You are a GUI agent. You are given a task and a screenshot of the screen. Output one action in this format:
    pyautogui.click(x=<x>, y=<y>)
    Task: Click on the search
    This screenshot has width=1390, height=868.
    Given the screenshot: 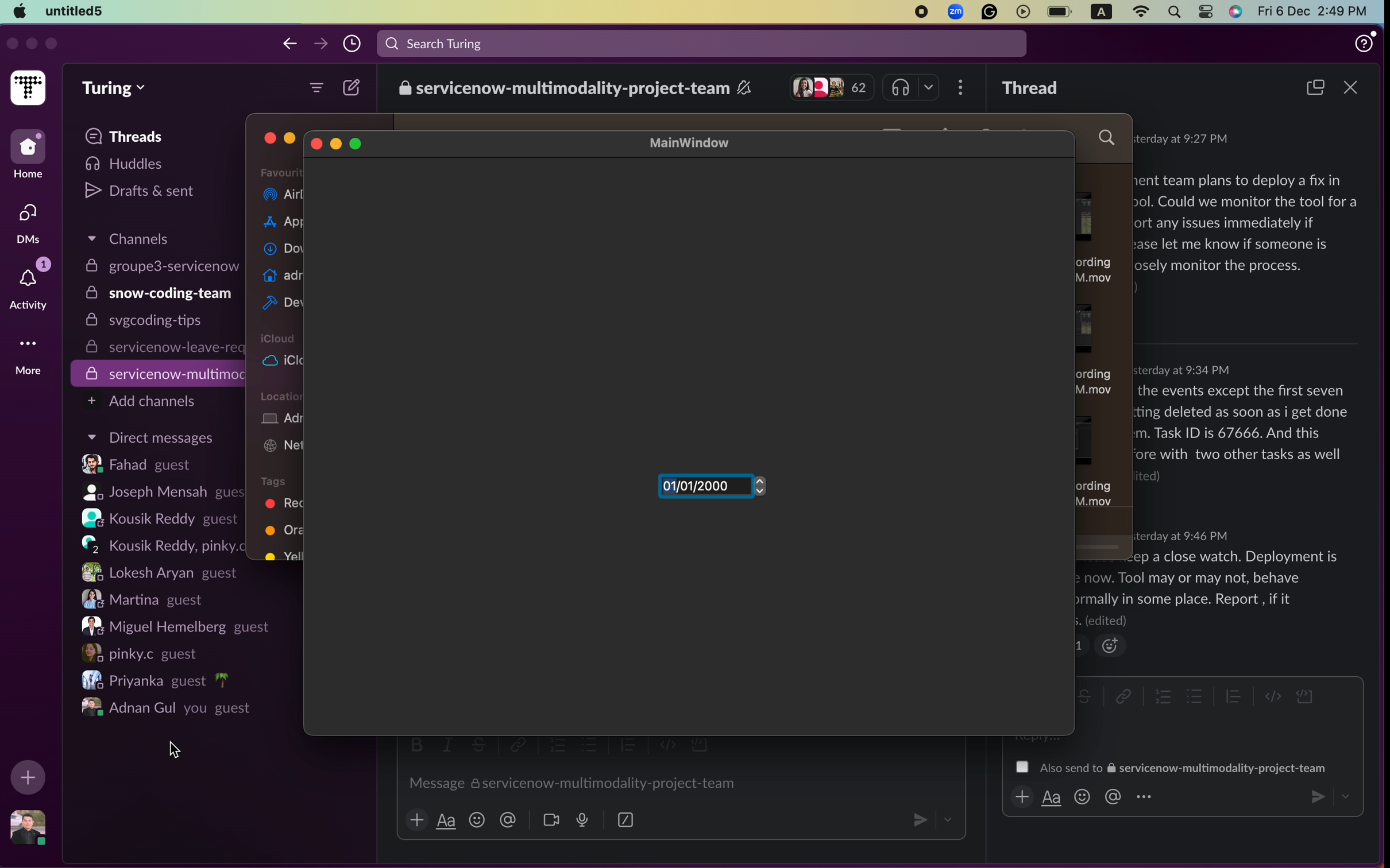 What is the action you would take?
    pyautogui.click(x=704, y=42)
    